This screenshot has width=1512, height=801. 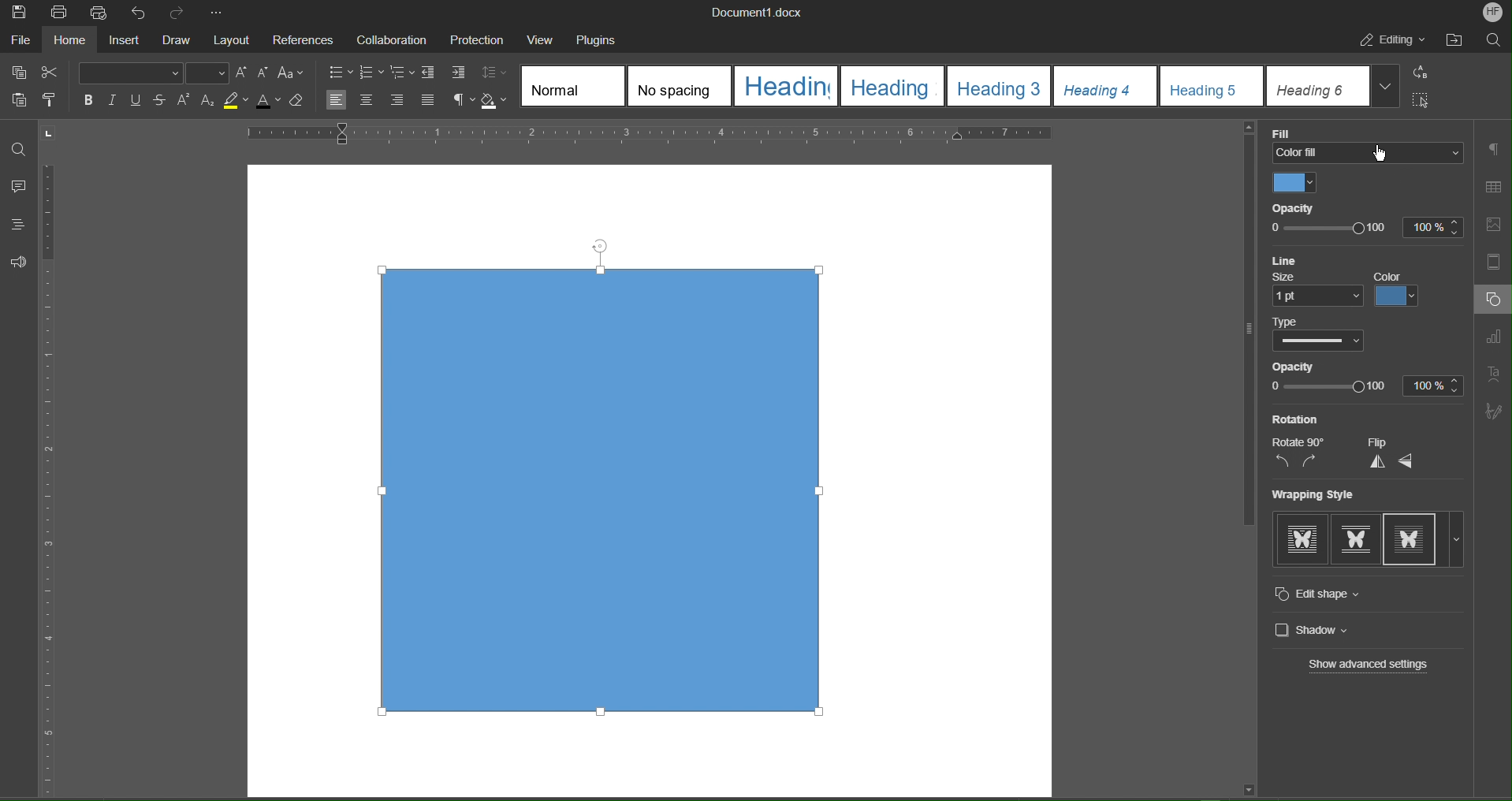 What do you see at coordinates (1498, 263) in the screenshot?
I see `Header/Footer` at bounding box center [1498, 263].